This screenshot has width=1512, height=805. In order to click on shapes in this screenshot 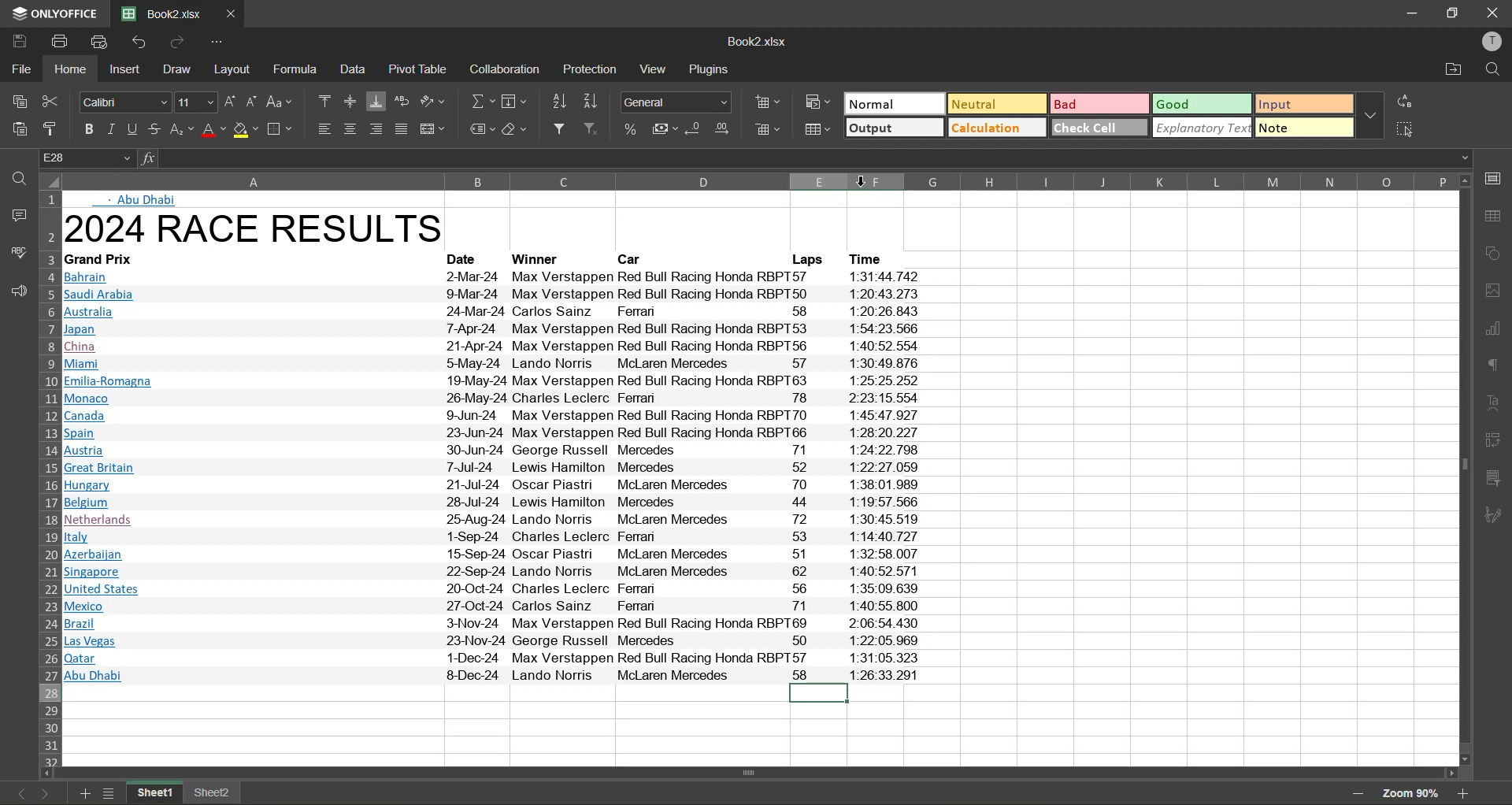, I will do `click(1497, 251)`.